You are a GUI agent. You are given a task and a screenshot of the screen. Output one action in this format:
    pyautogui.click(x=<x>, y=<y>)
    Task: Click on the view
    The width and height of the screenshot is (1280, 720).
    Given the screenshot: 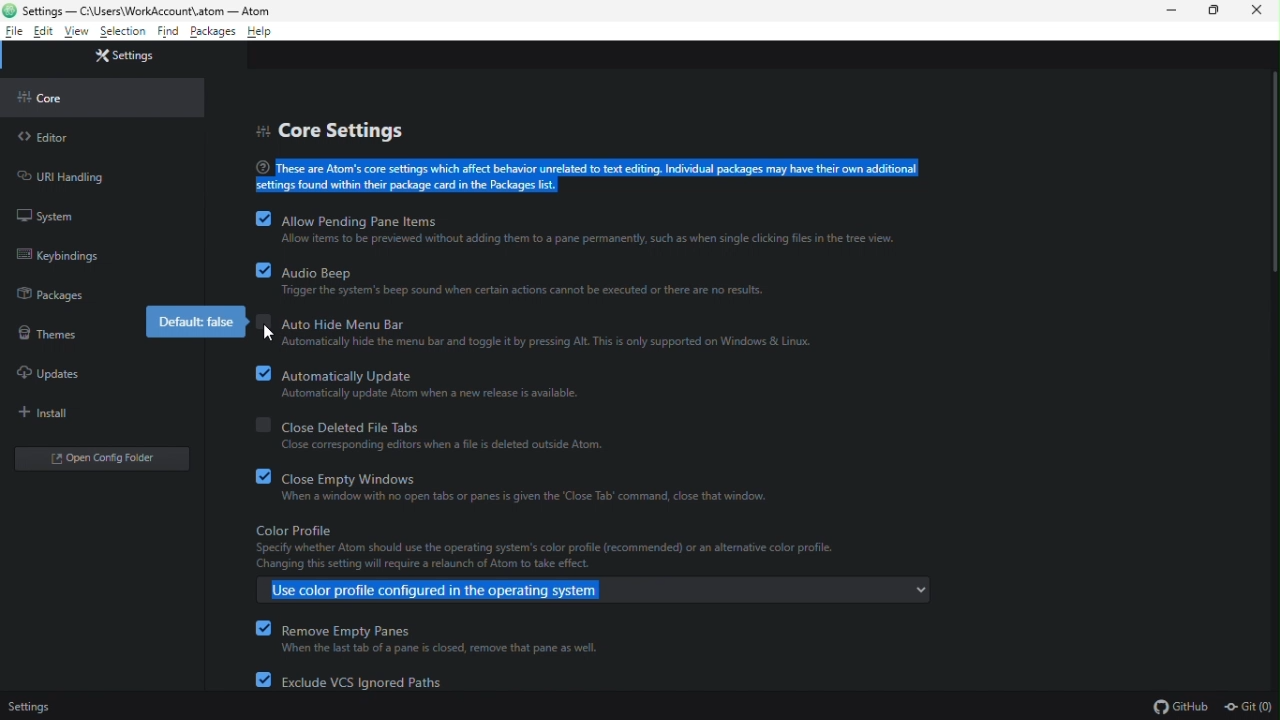 What is the action you would take?
    pyautogui.click(x=78, y=32)
    